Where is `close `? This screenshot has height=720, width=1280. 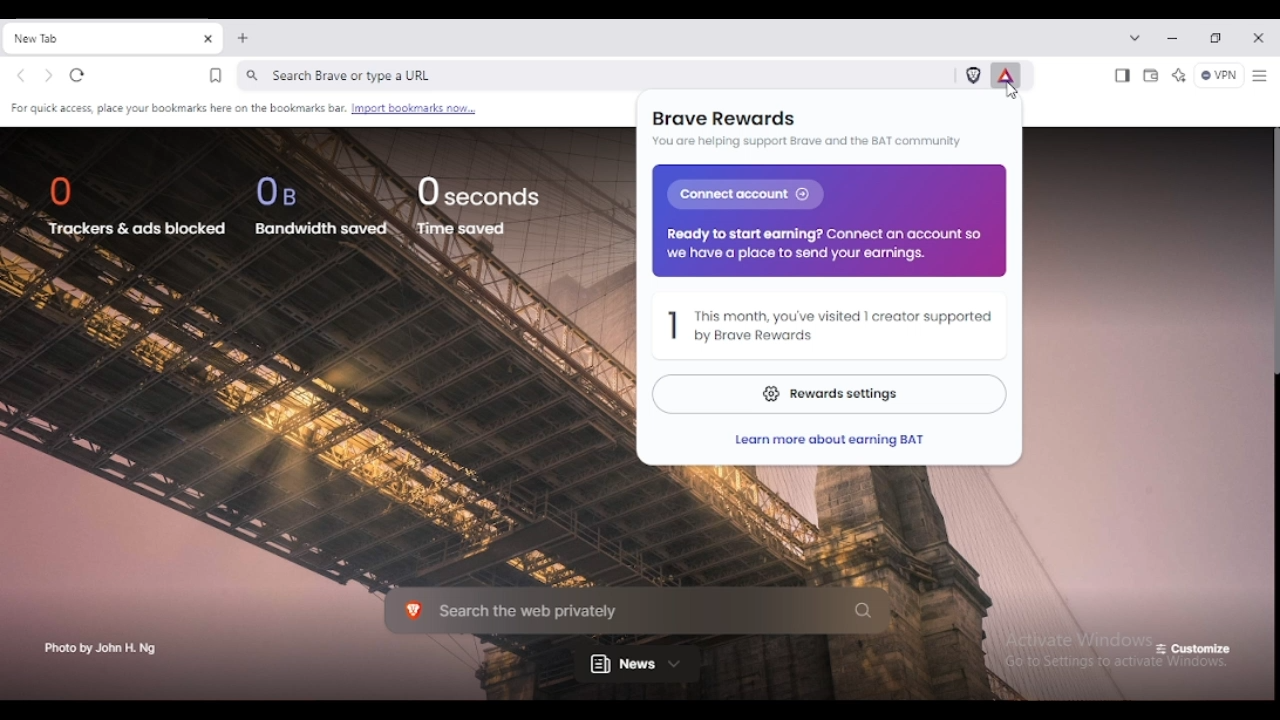
close  is located at coordinates (1258, 38).